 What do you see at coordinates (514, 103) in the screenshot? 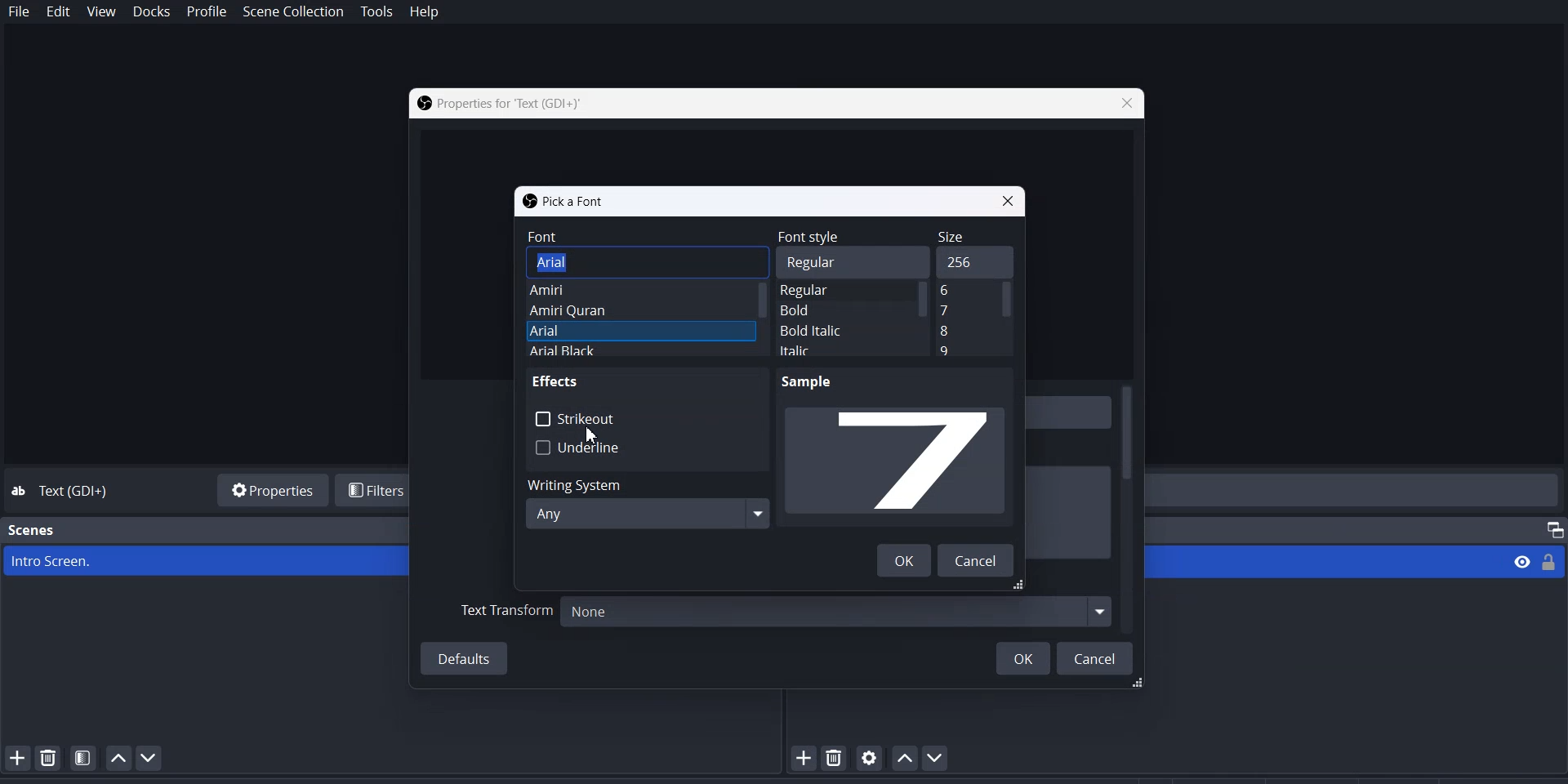
I see `Properties for Text (GDI+)` at bounding box center [514, 103].